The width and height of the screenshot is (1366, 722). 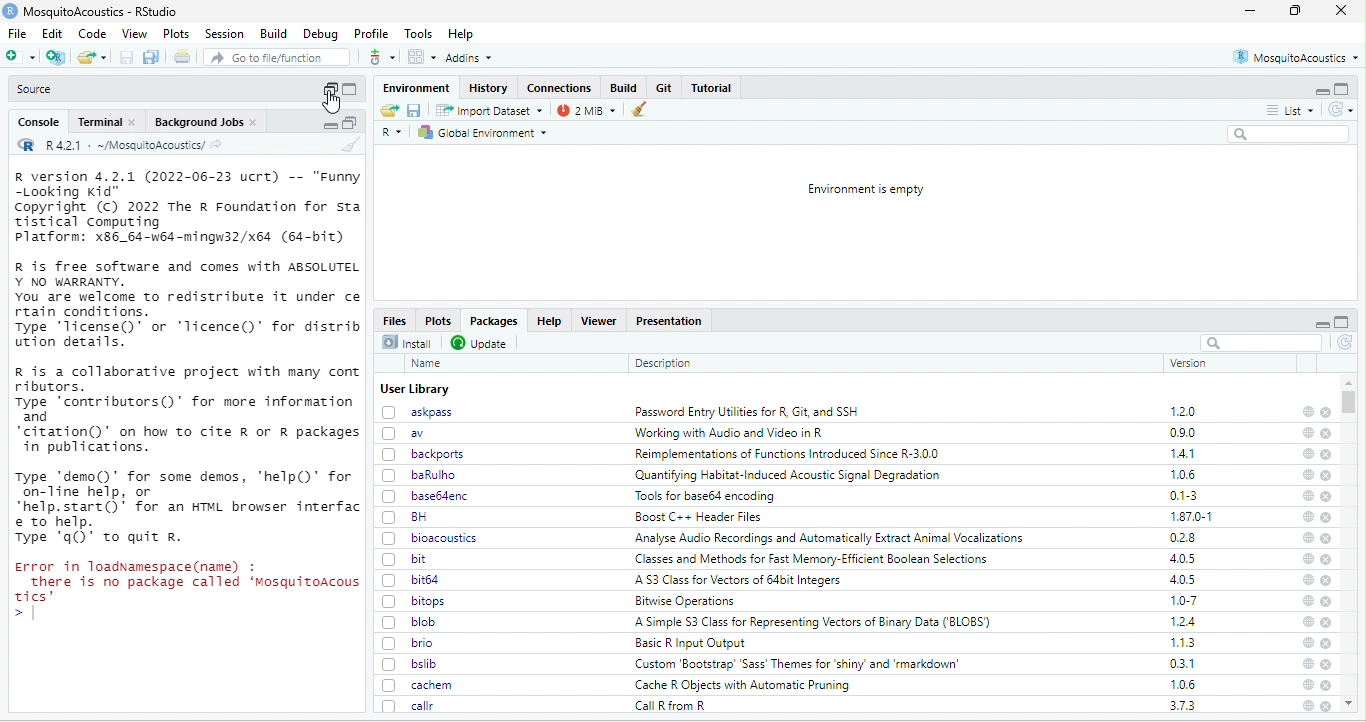 I want to click on close, so click(x=1326, y=685).